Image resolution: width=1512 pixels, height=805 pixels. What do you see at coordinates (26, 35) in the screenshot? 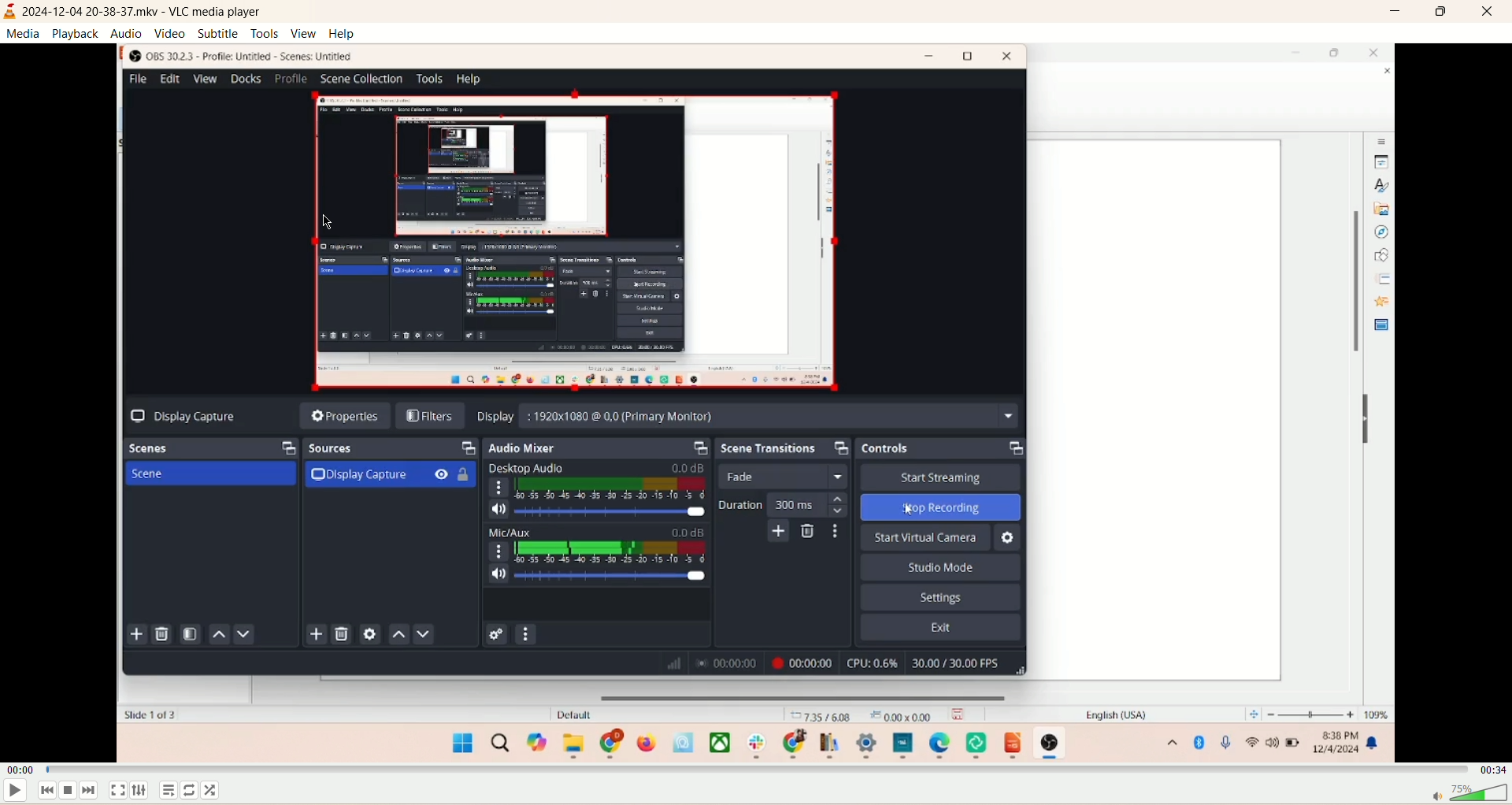
I see `media` at bounding box center [26, 35].